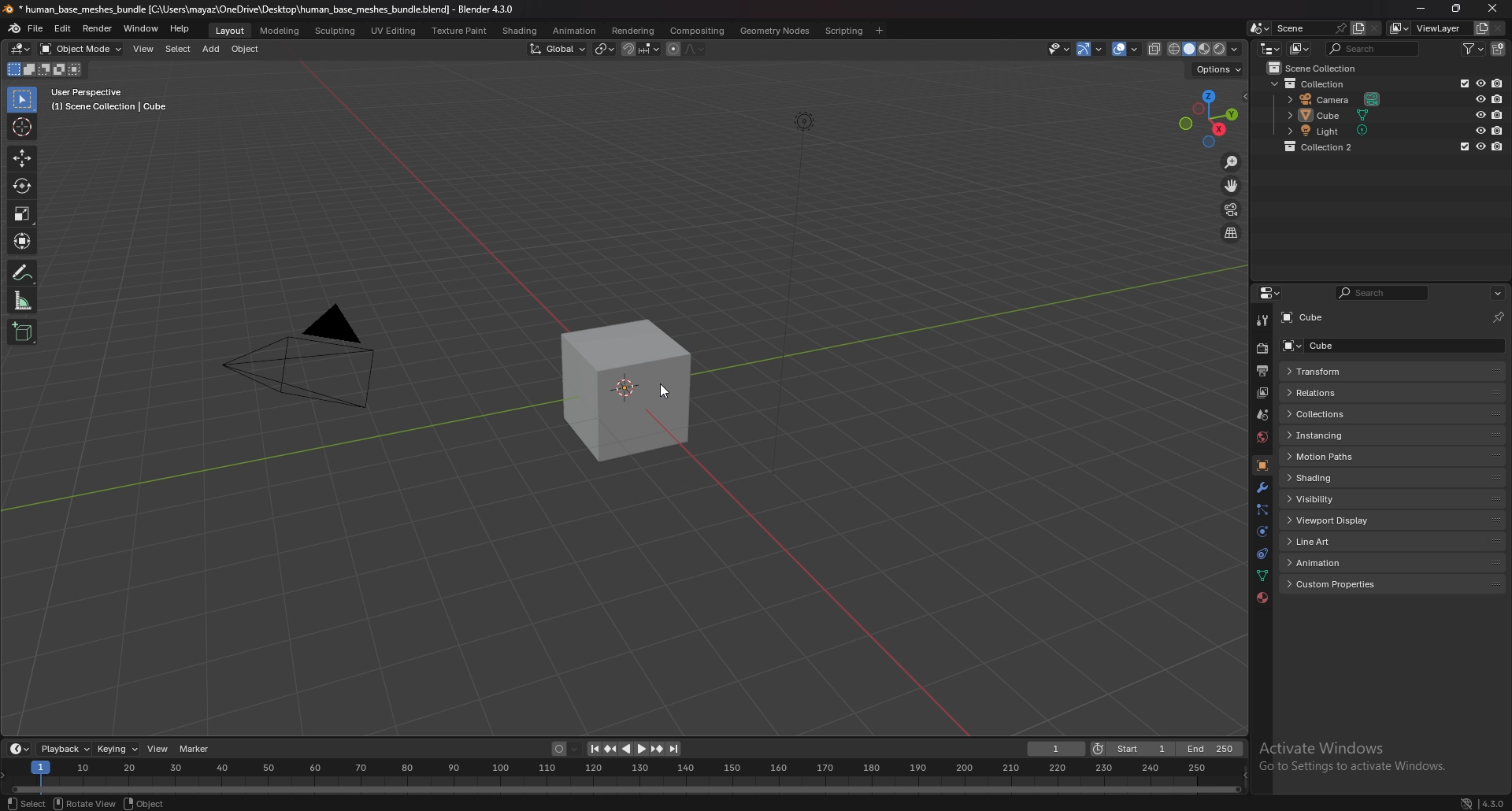 This screenshot has height=811, width=1512. What do you see at coordinates (298, 354) in the screenshot?
I see `camera` at bounding box center [298, 354].